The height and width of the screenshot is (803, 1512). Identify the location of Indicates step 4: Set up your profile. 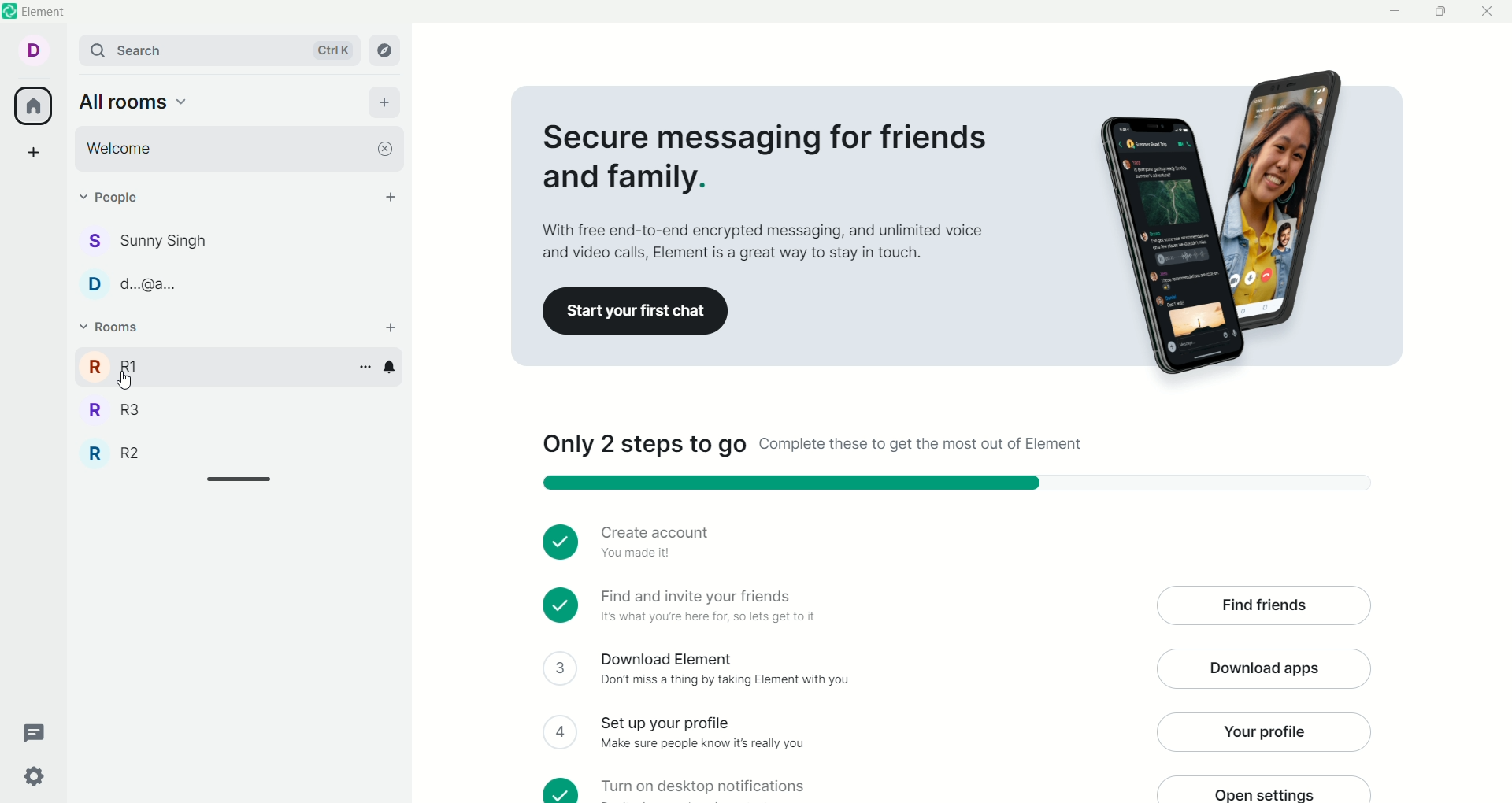
(703, 734).